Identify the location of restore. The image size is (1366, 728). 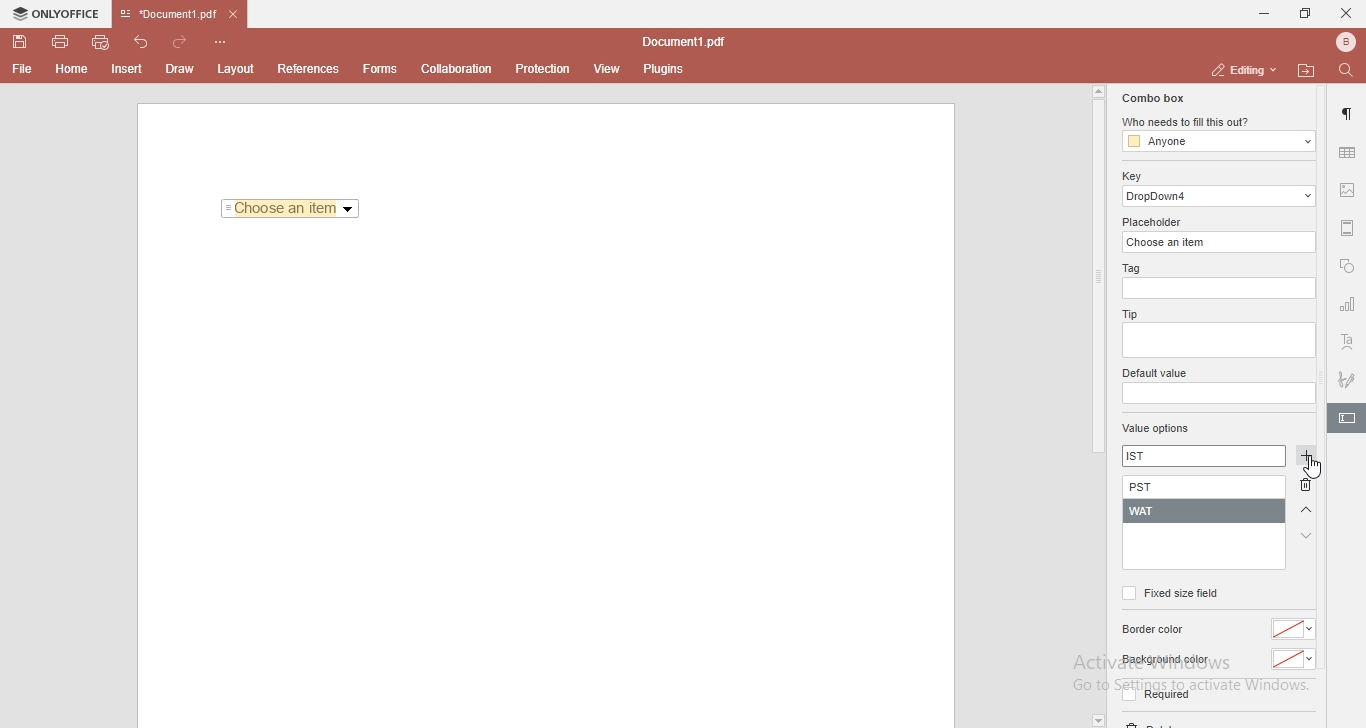
(1304, 14).